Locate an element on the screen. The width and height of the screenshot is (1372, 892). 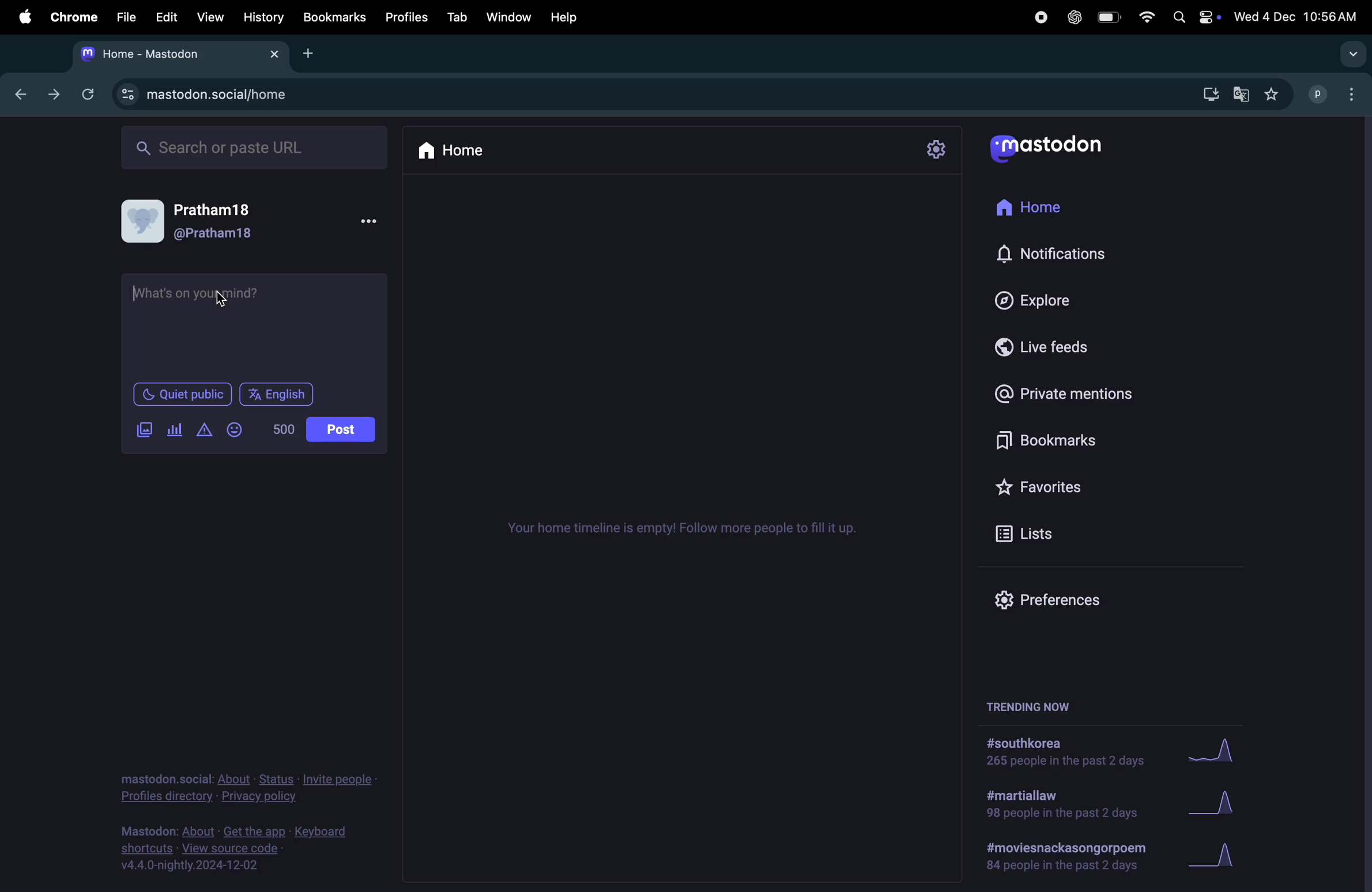
refresh is located at coordinates (91, 92).